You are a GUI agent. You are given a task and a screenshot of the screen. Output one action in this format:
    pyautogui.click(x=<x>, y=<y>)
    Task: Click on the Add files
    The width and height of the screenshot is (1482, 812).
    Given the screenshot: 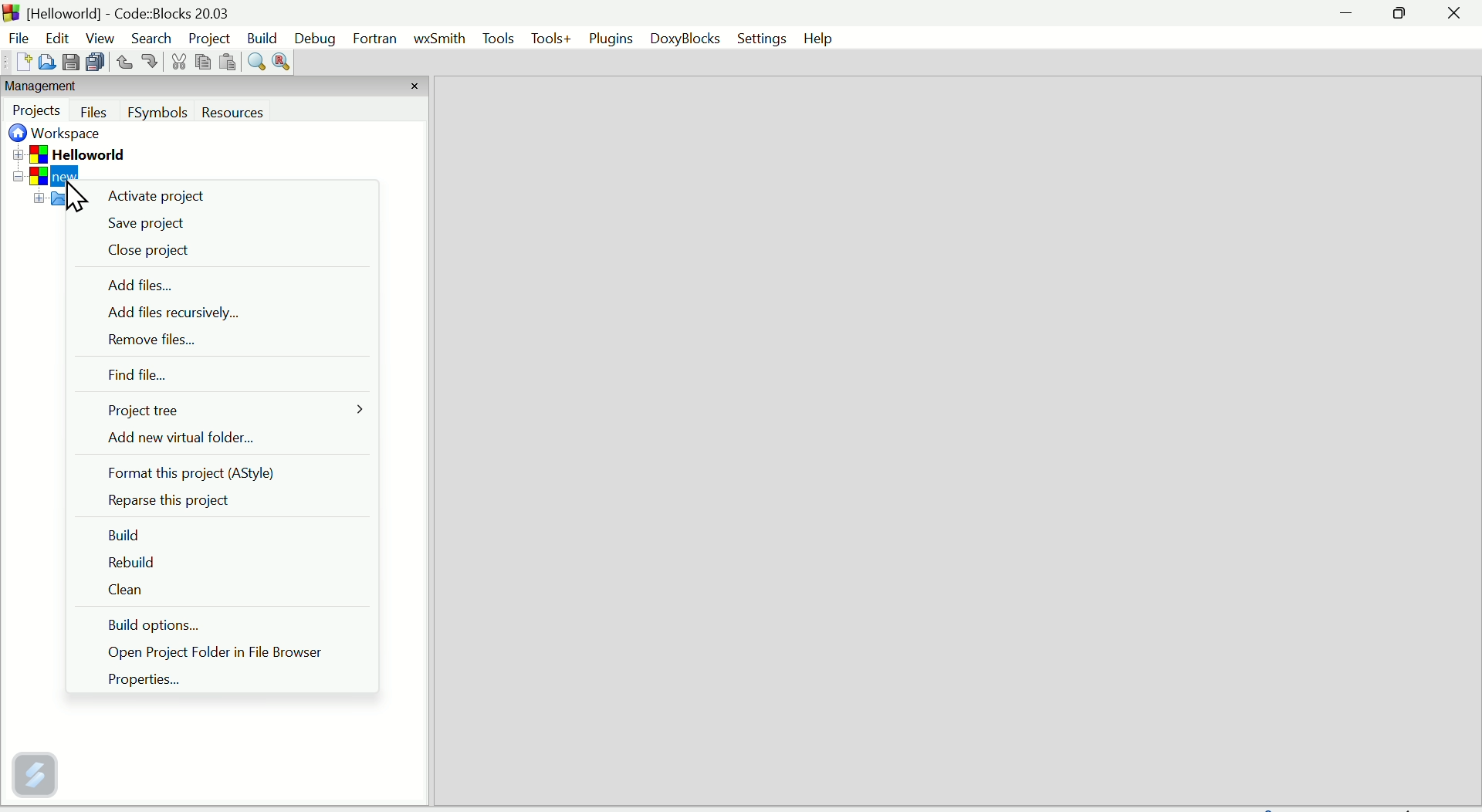 What is the action you would take?
    pyautogui.click(x=137, y=286)
    